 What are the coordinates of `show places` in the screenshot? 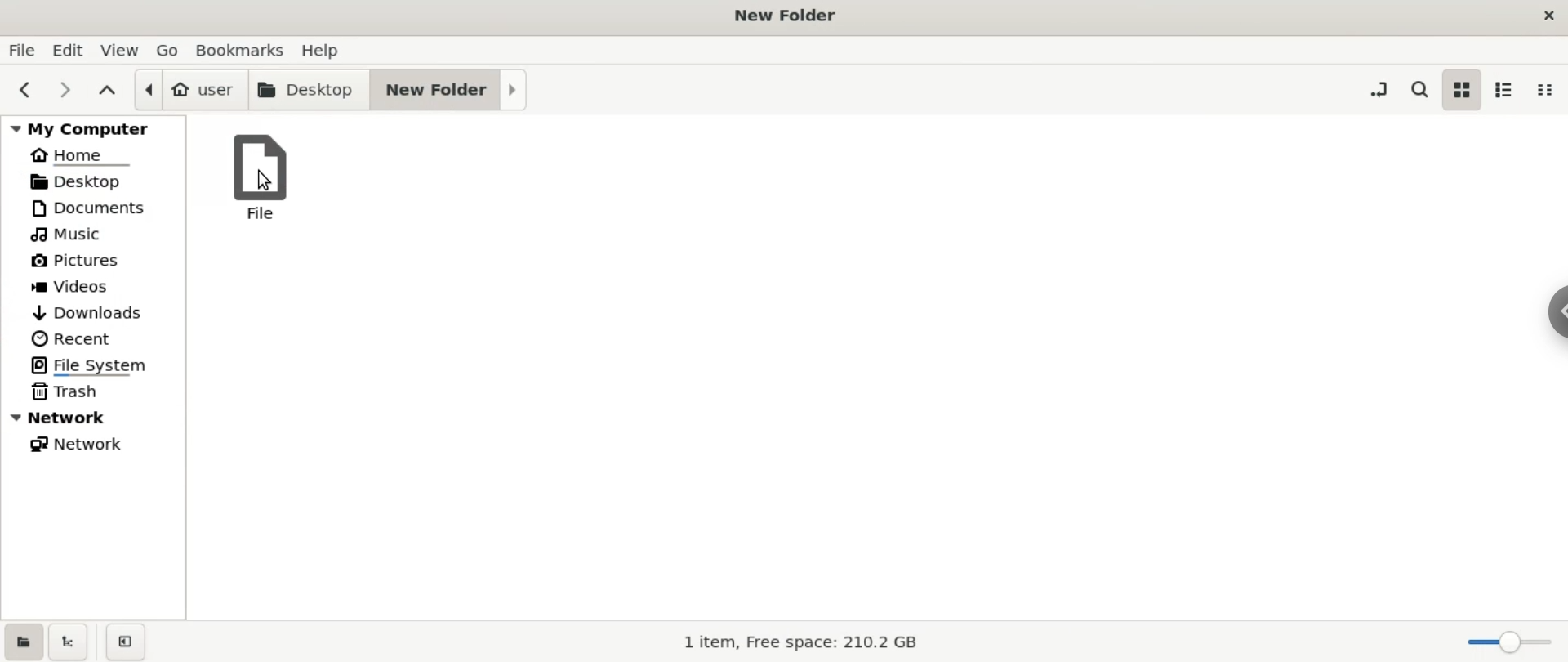 It's located at (23, 639).